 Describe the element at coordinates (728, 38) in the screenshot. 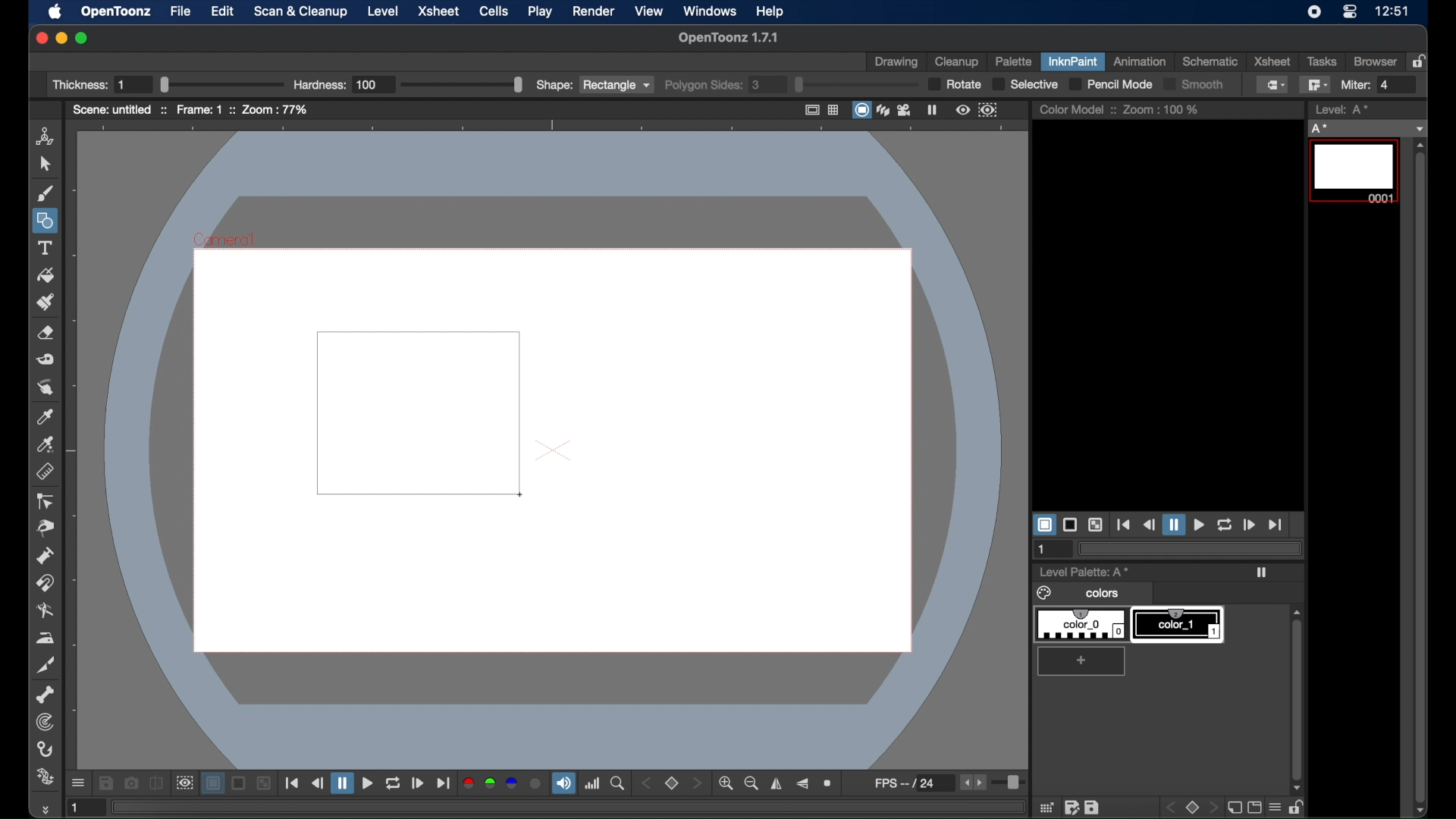

I see `OpenToonz 1.7.1` at that location.